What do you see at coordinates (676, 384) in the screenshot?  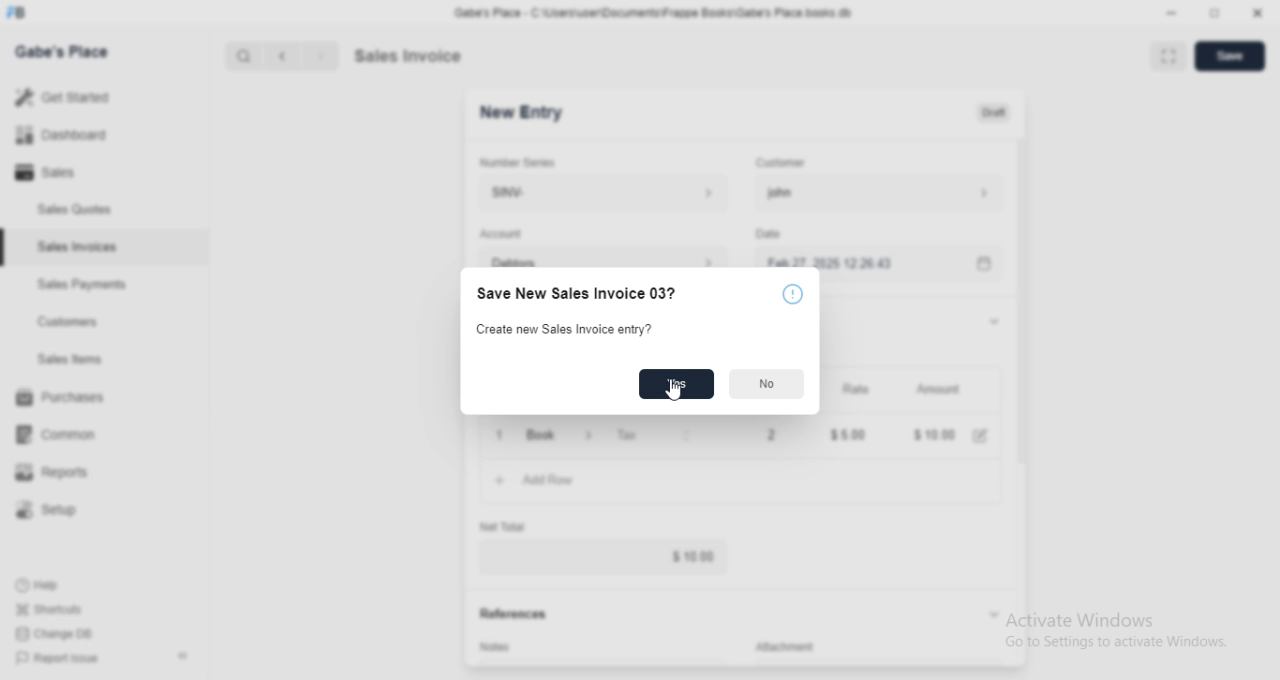 I see `Yes` at bounding box center [676, 384].